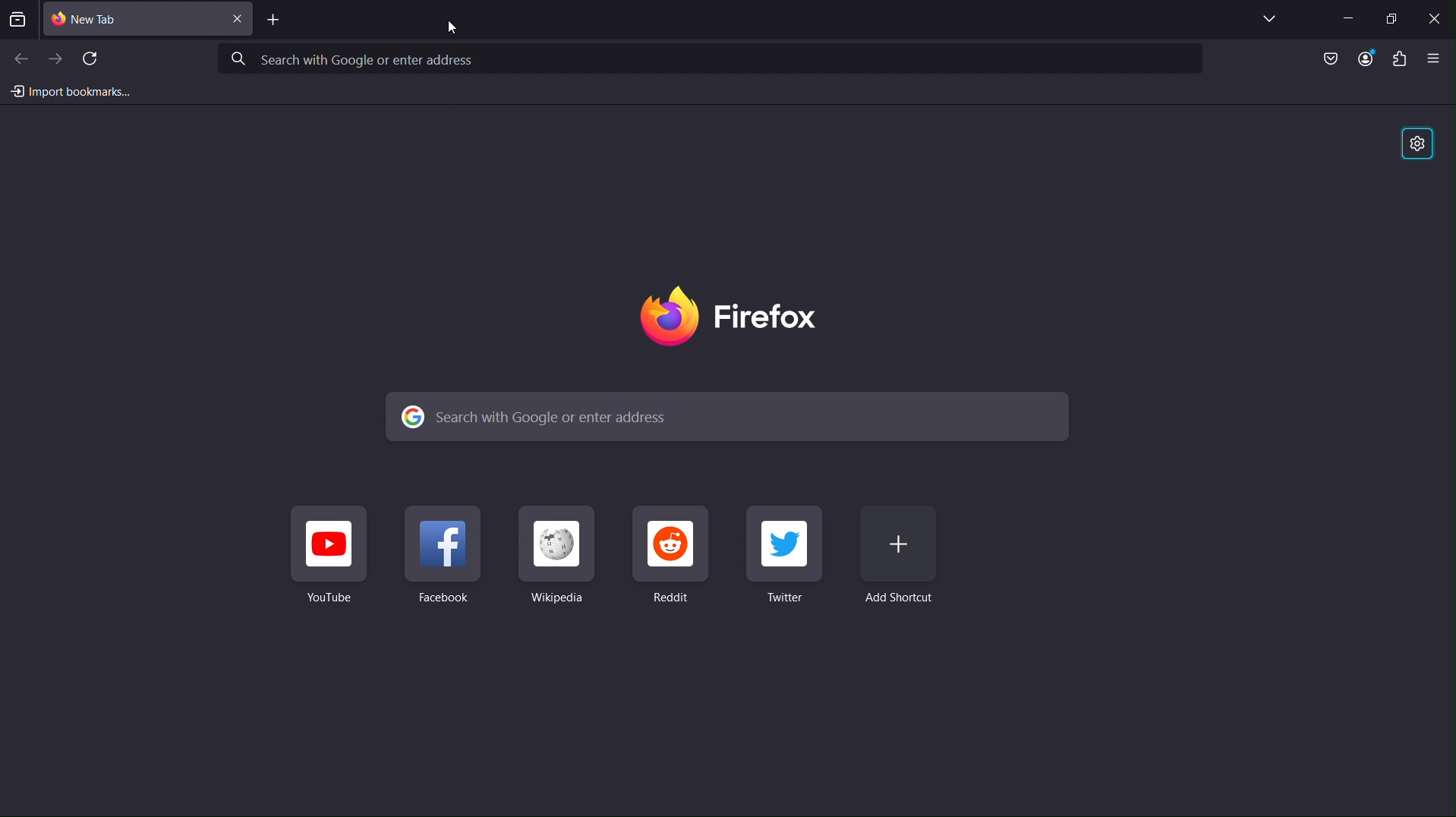  I want to click on Reddit Shortcut, so click(676, 562).